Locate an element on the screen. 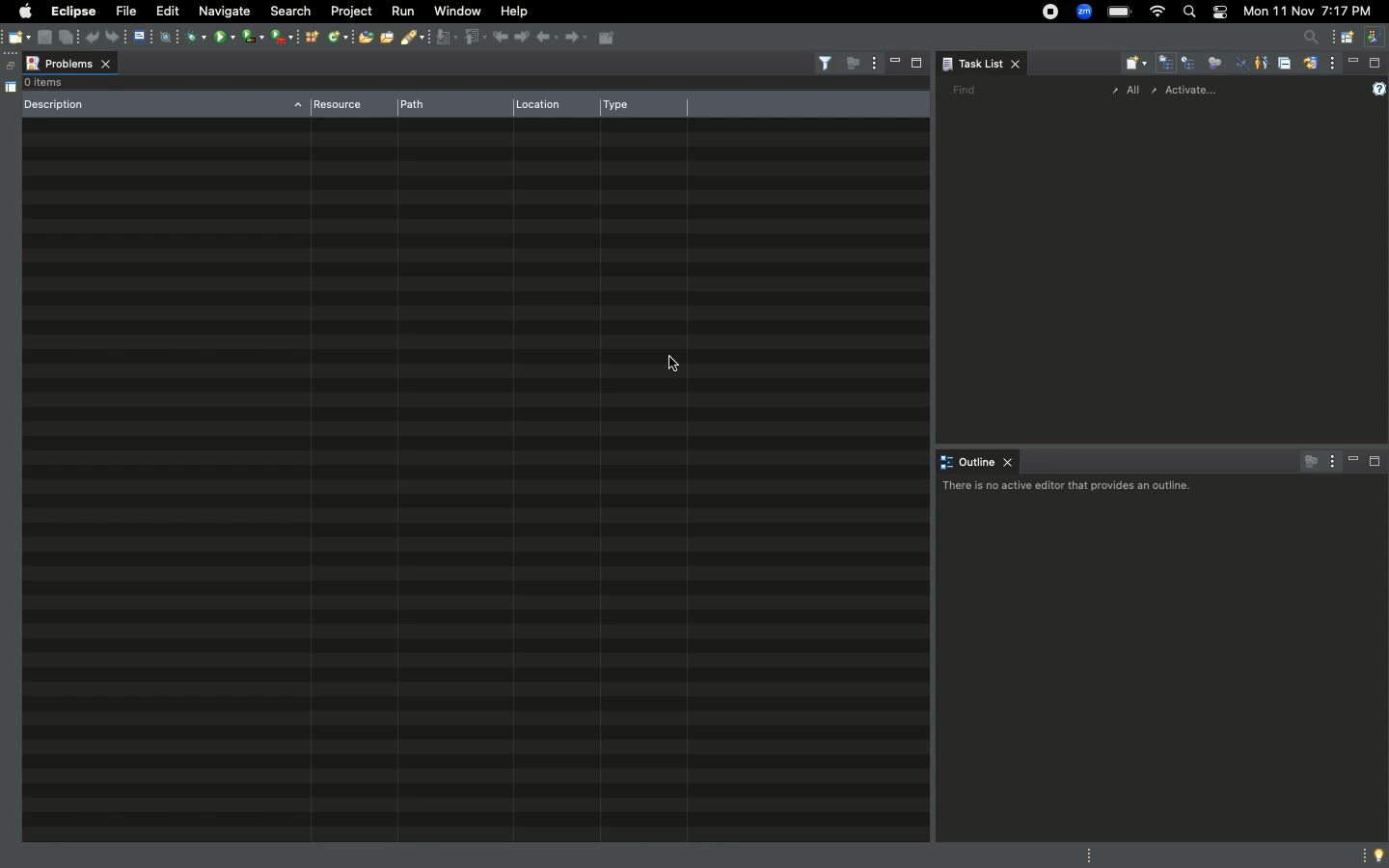 The image size is (1389, 868). Maximize is located at coordinates (915, 64).